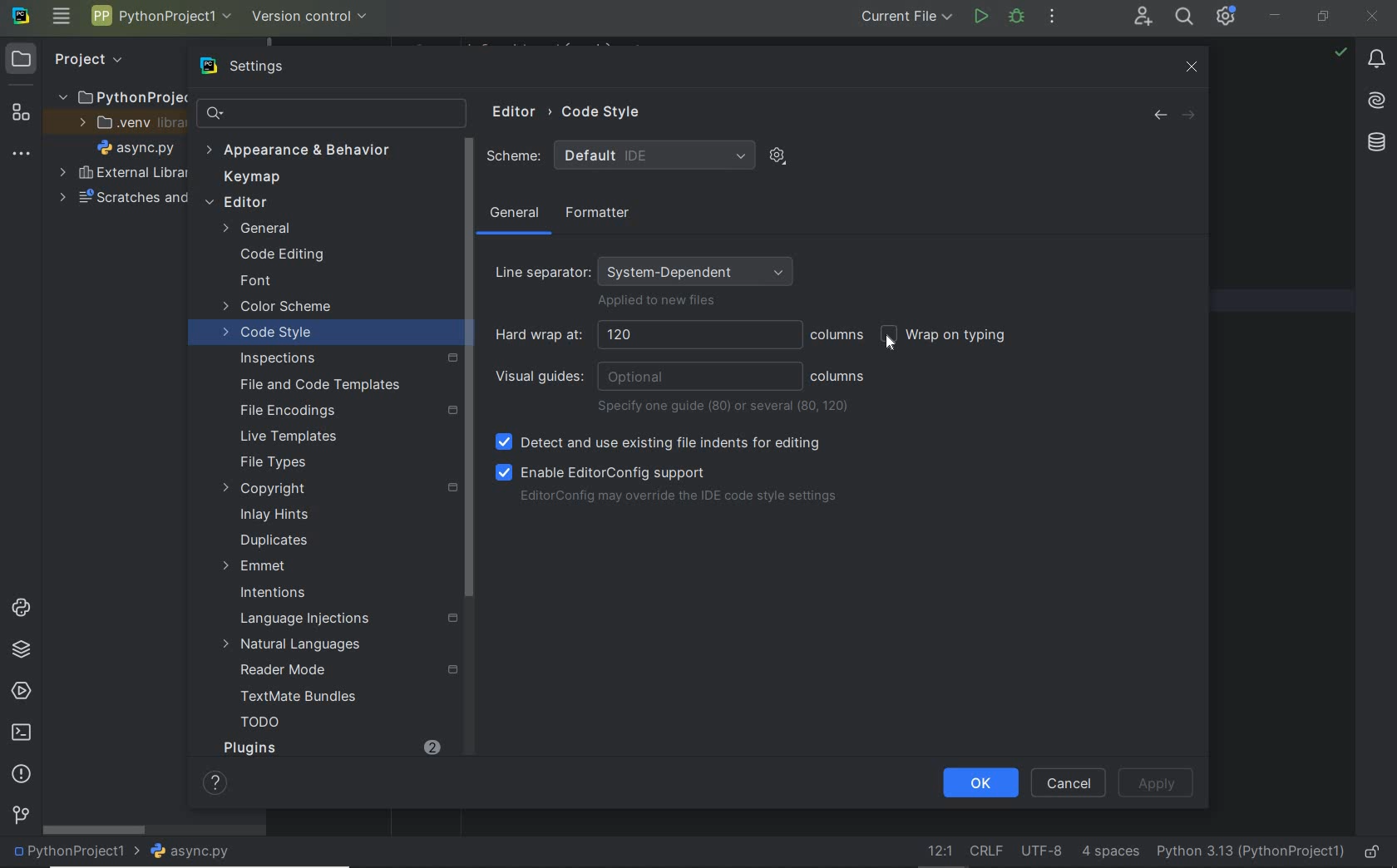  Describe the element at coordinates (20, 116) in the screenshot. I see `structure` at that location.